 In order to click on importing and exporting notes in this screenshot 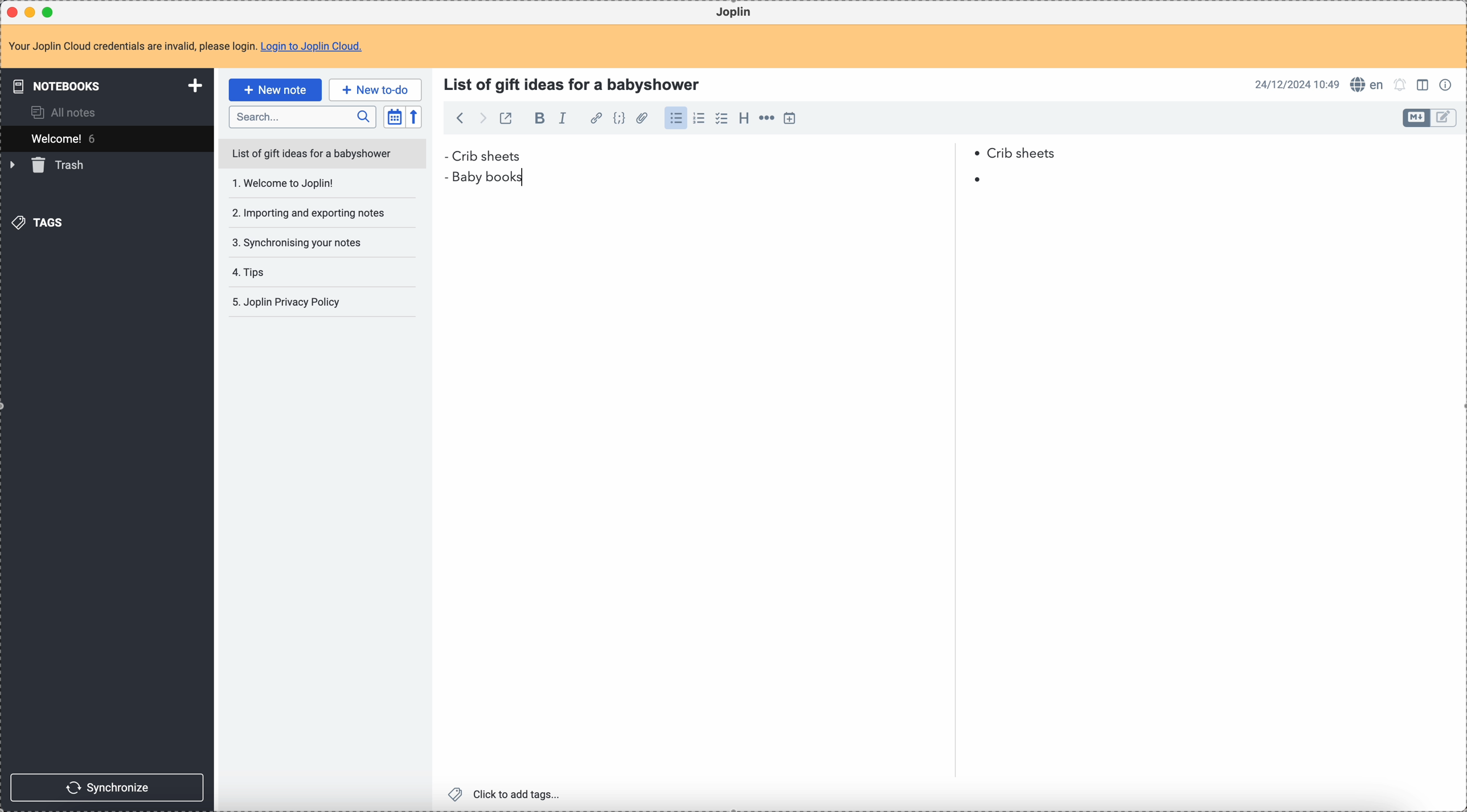, I will do `click(308, 212)`.